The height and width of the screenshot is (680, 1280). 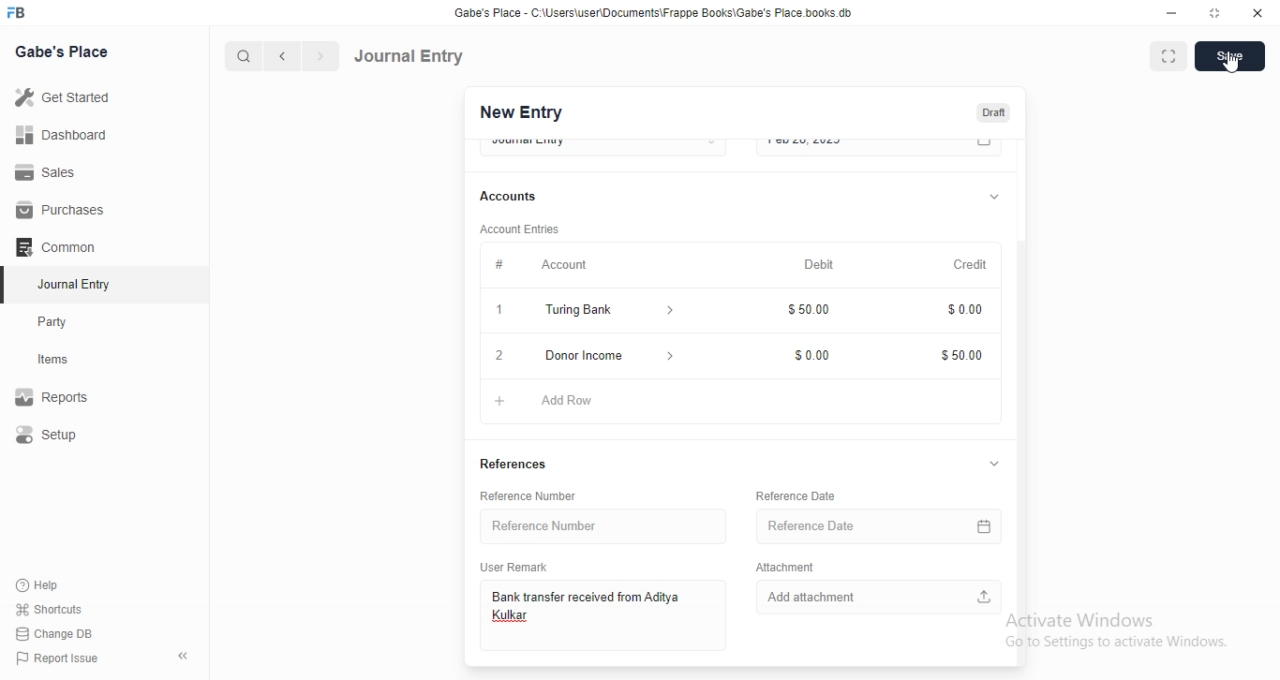 I want to click on calender, so click(x=988, y=523).